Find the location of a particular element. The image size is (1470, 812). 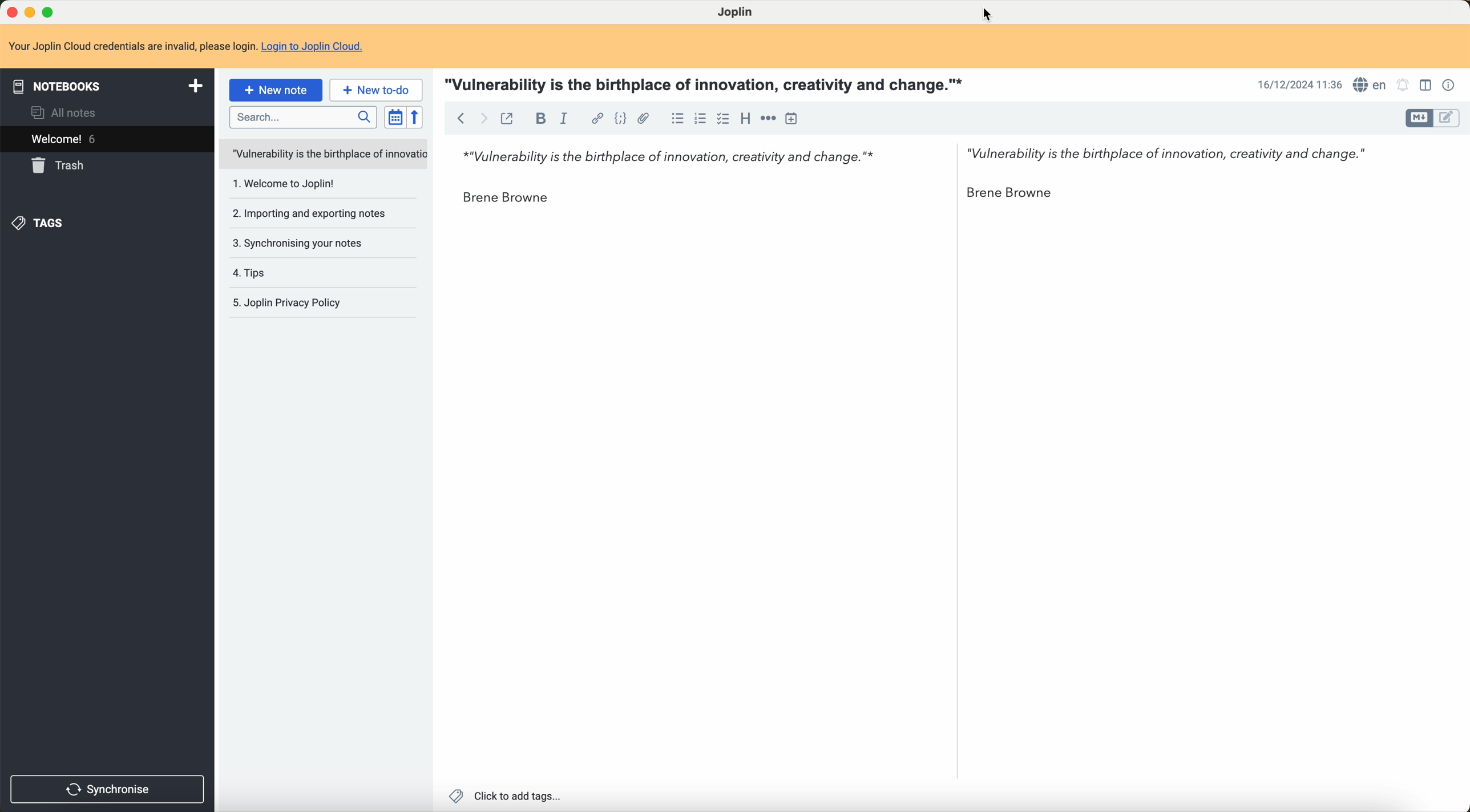

welcome is located at coordinates (106, 139).